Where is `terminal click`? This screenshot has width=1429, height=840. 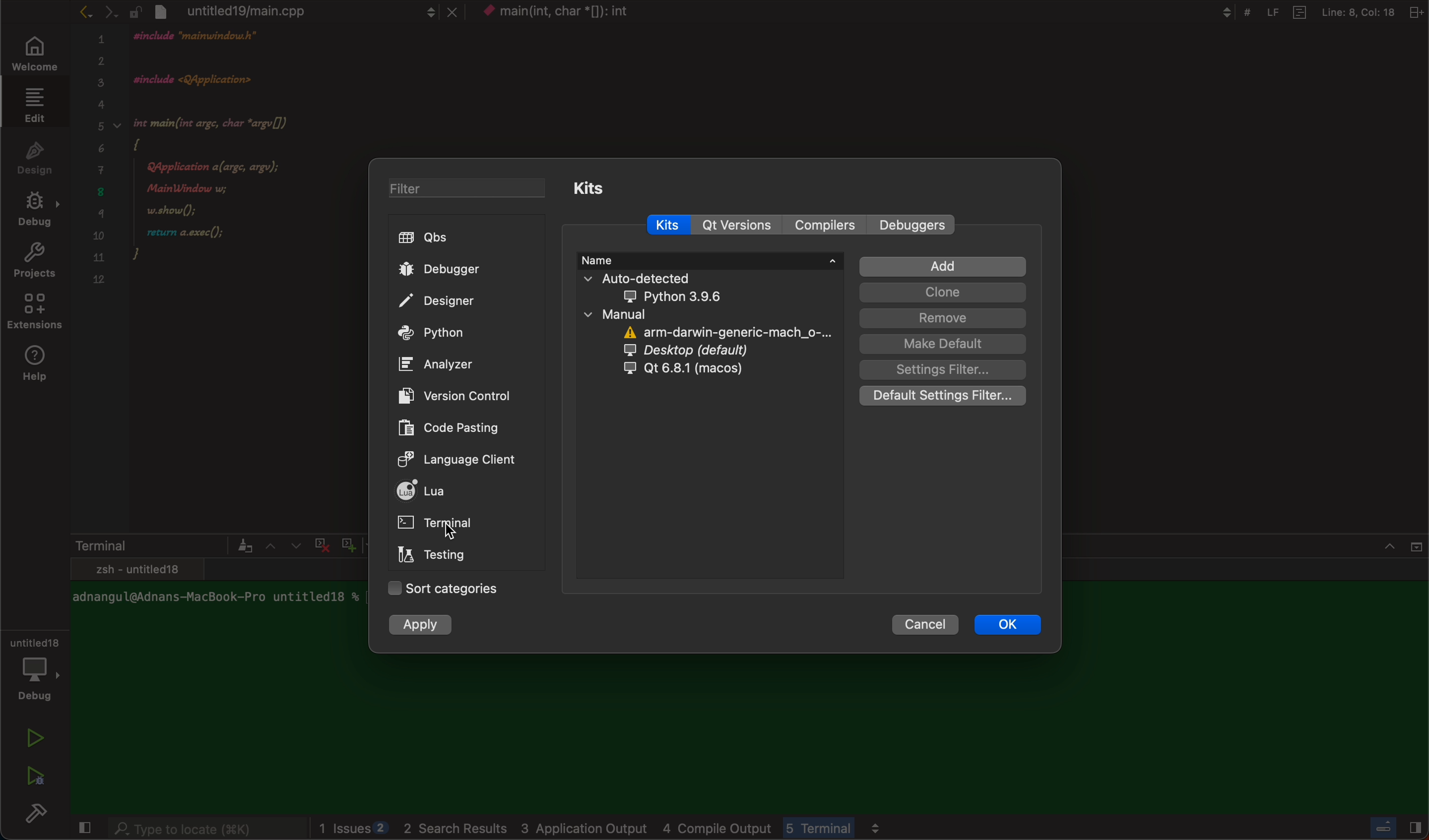 terminal click is located at coordinates (456, 524).